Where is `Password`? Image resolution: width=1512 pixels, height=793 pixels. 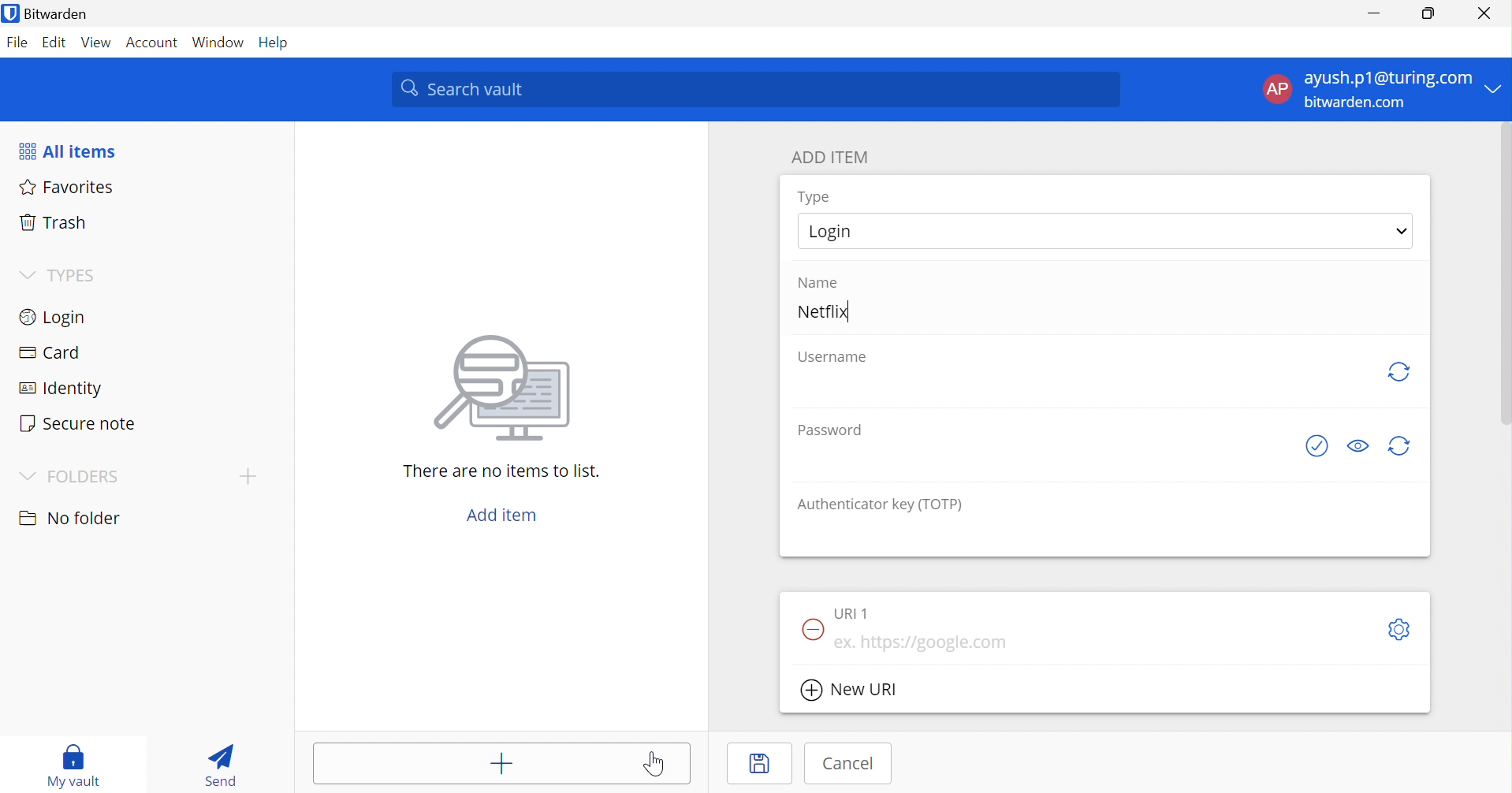 Password is located at coordinates (828, 429).